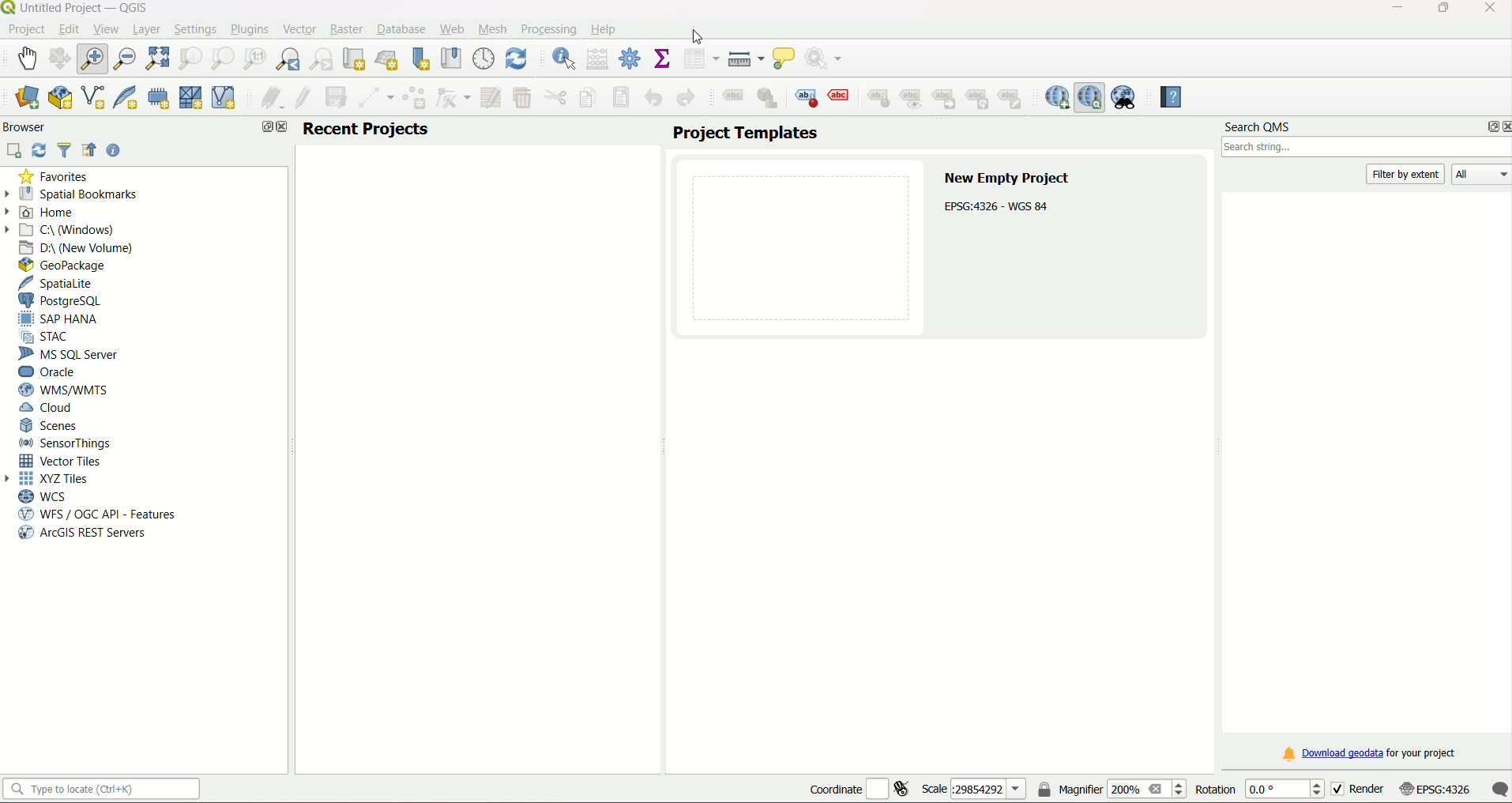  I want to click on WMS/WMTS, so click(62, 390).